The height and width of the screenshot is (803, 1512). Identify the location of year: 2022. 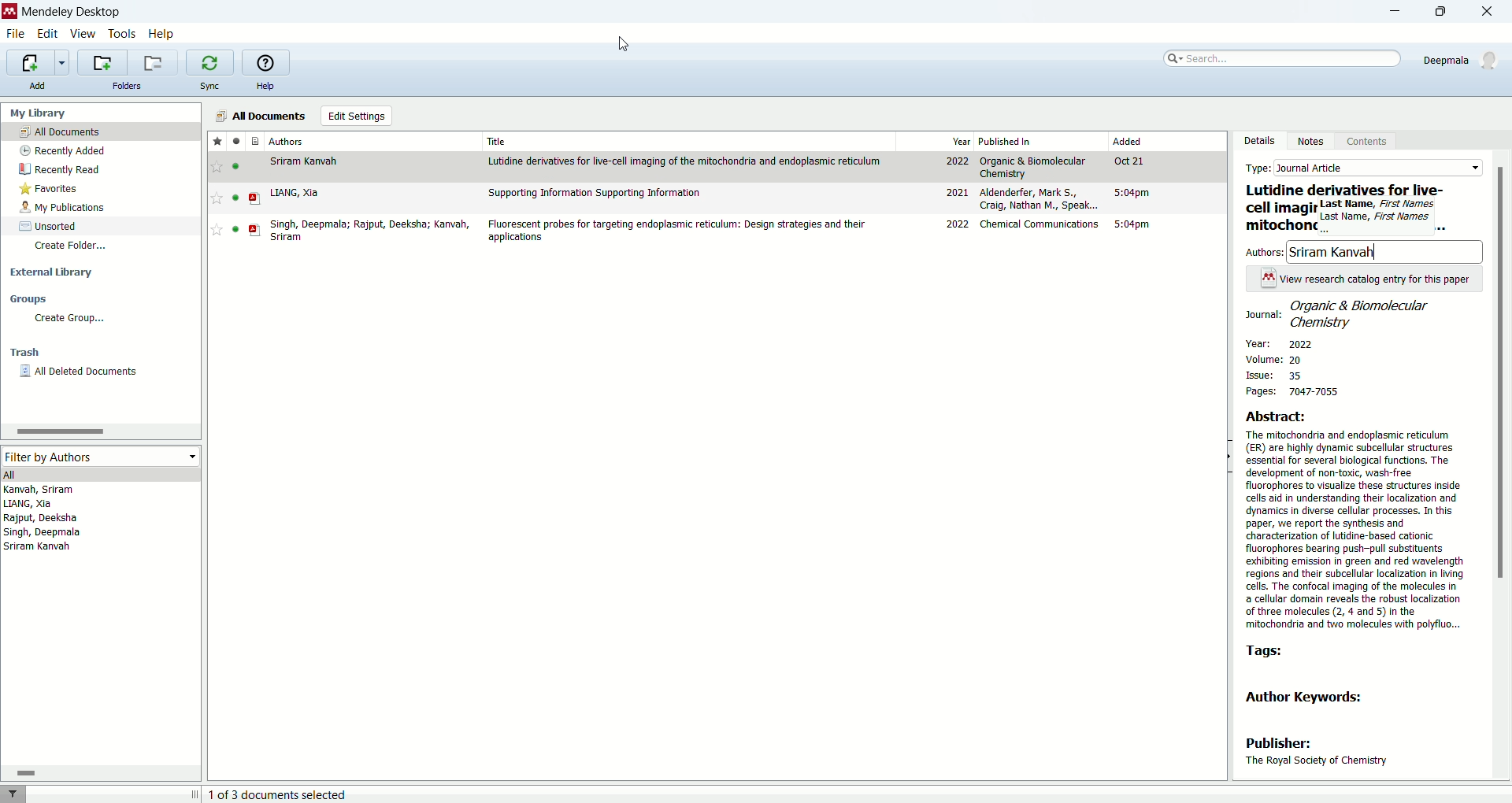
(1279, 342).